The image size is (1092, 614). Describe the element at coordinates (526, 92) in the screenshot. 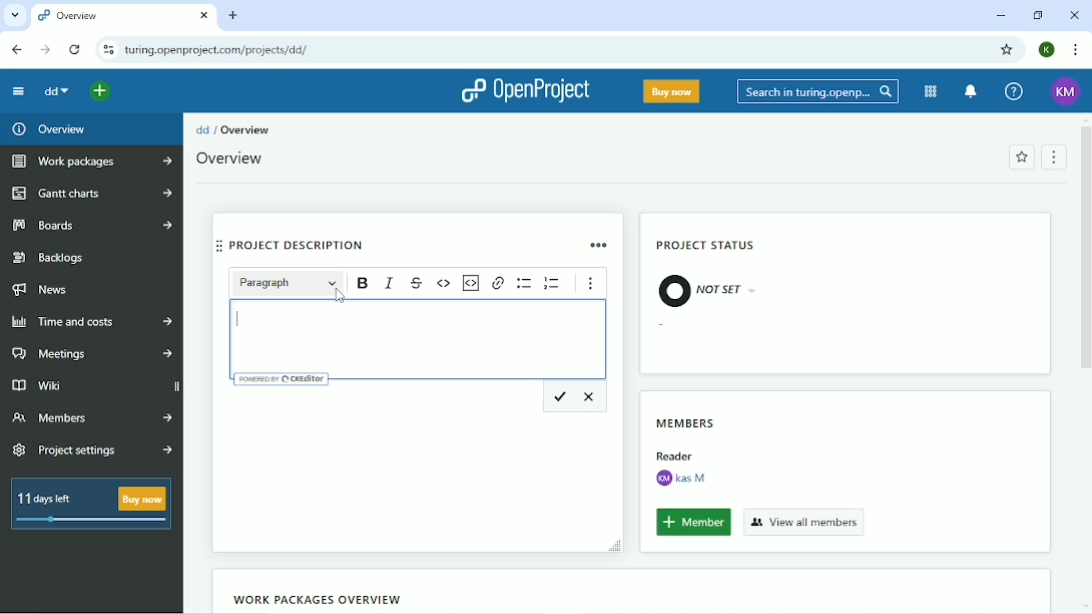

I see `OpenProject` at that location.